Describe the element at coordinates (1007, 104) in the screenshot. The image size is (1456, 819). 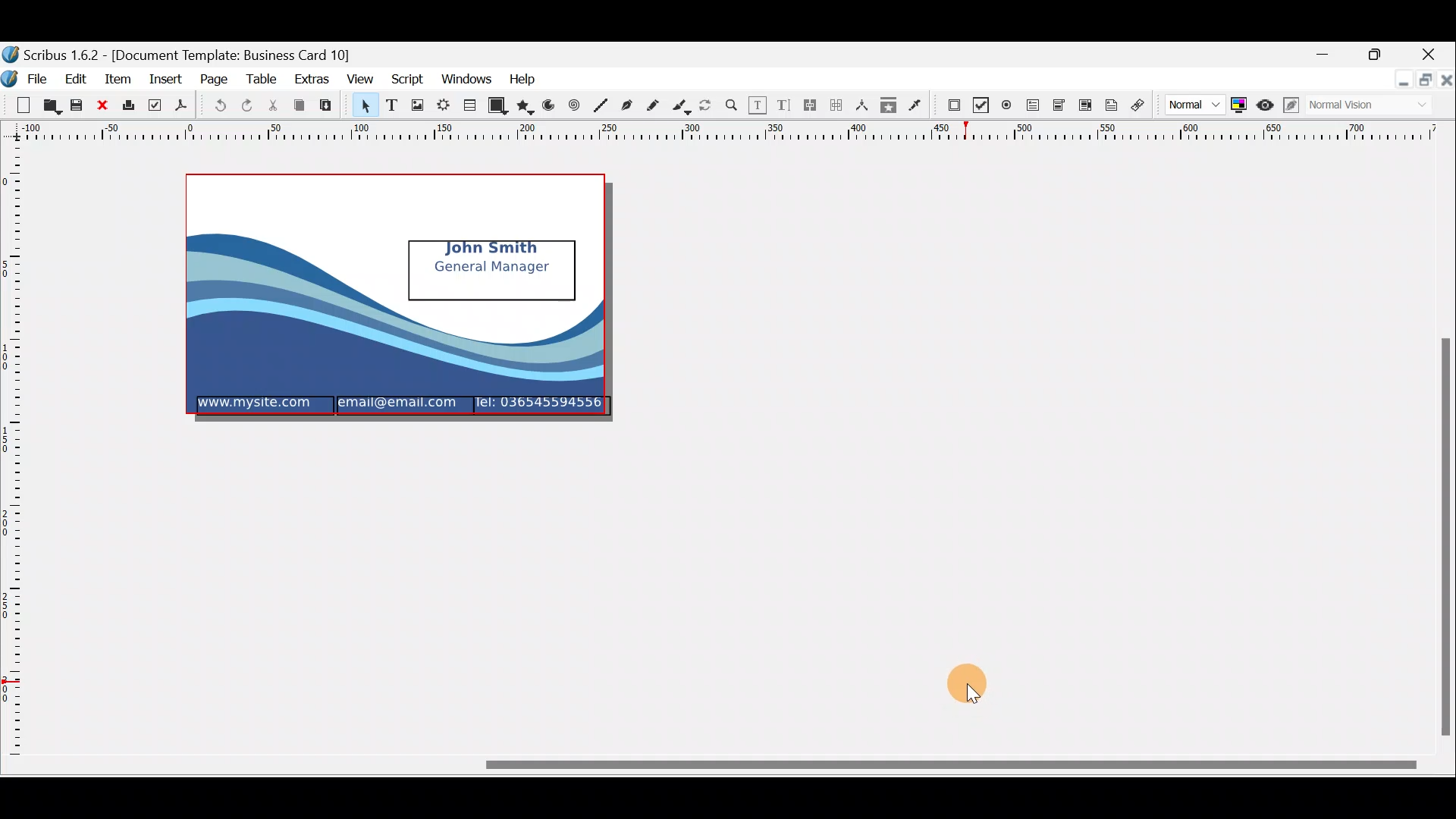
I see `PDF radio button` at that location.